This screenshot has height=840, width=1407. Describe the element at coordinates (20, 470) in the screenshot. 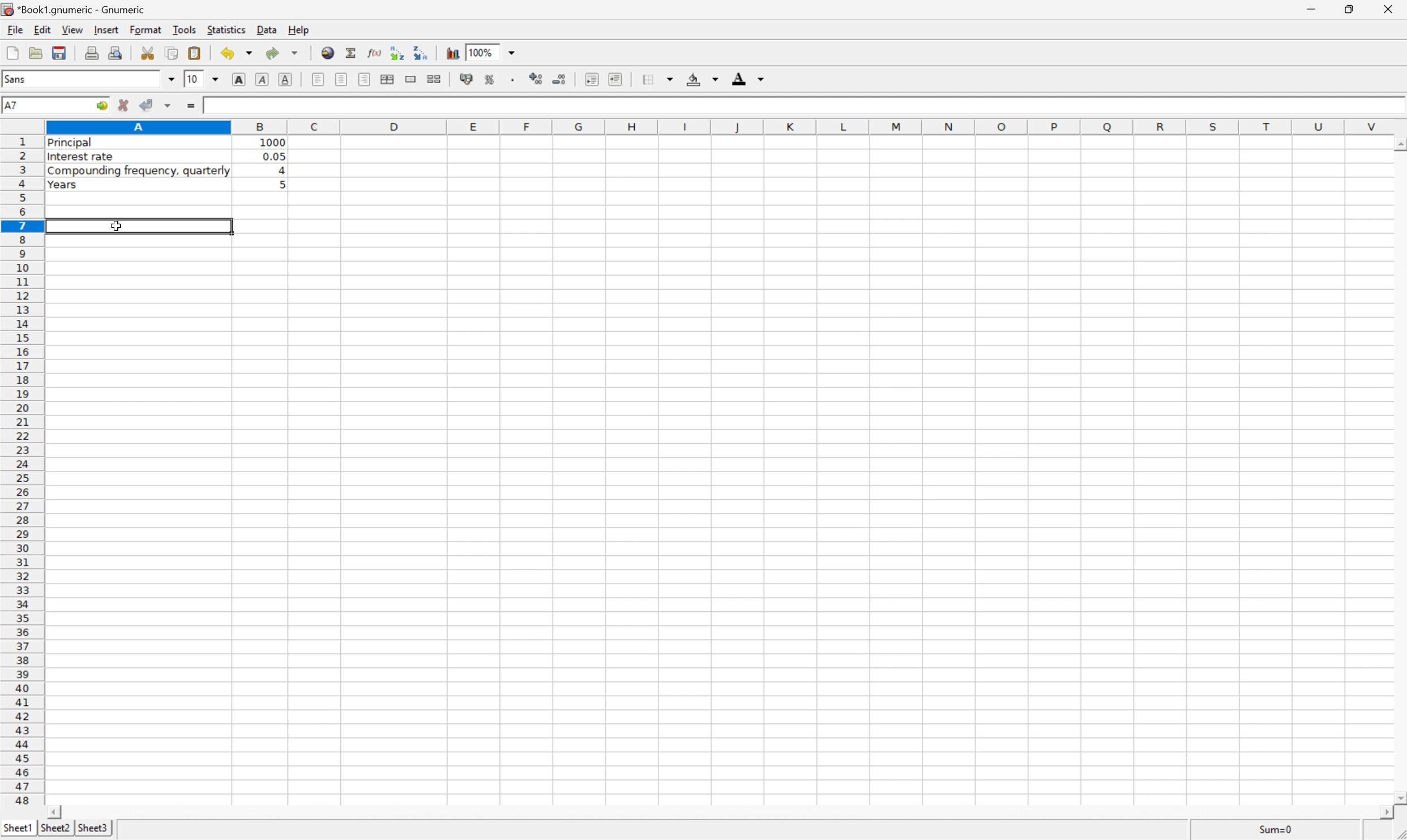

I see `row number` at that location.